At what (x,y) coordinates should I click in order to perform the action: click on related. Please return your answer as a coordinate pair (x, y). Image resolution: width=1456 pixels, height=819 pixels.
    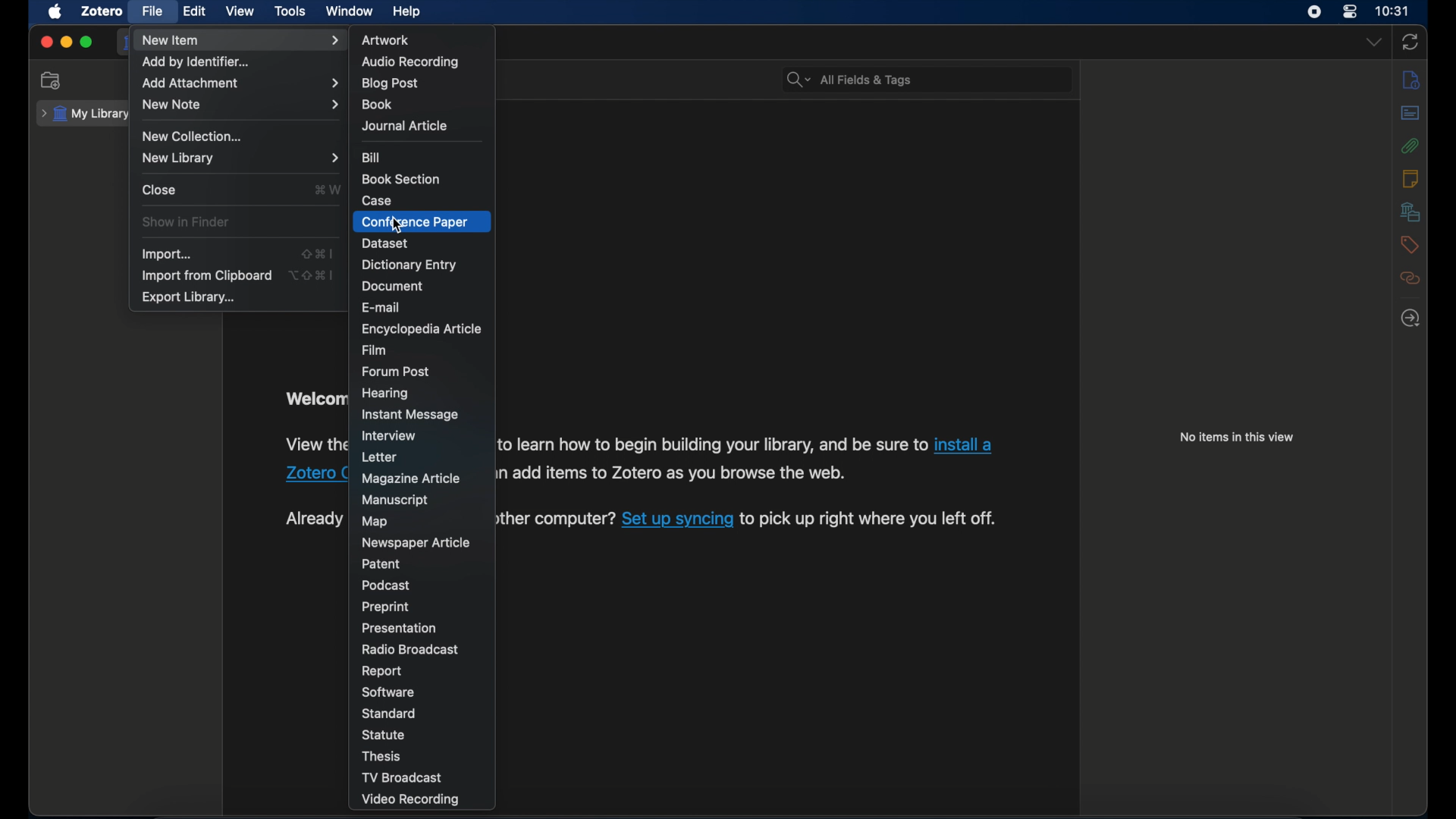
    Looking at the image, I should click on (1410, 278).